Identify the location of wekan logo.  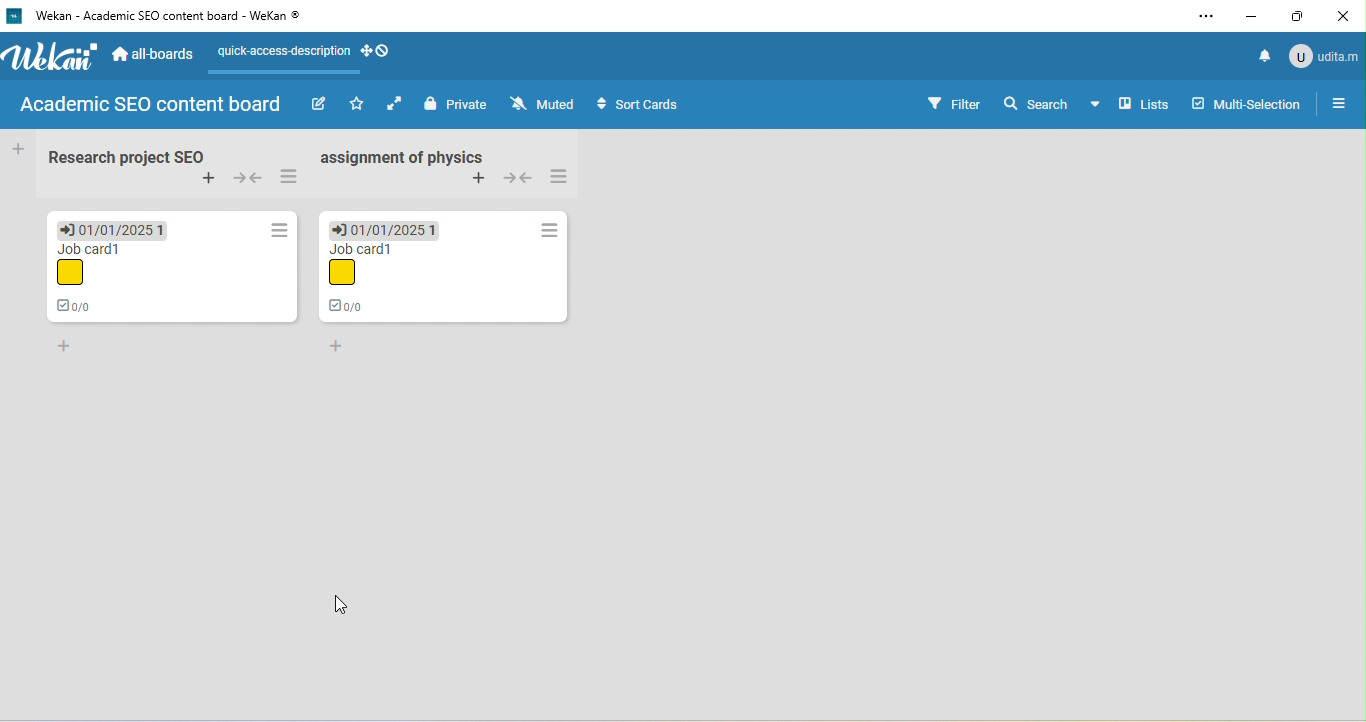
(15, 15).